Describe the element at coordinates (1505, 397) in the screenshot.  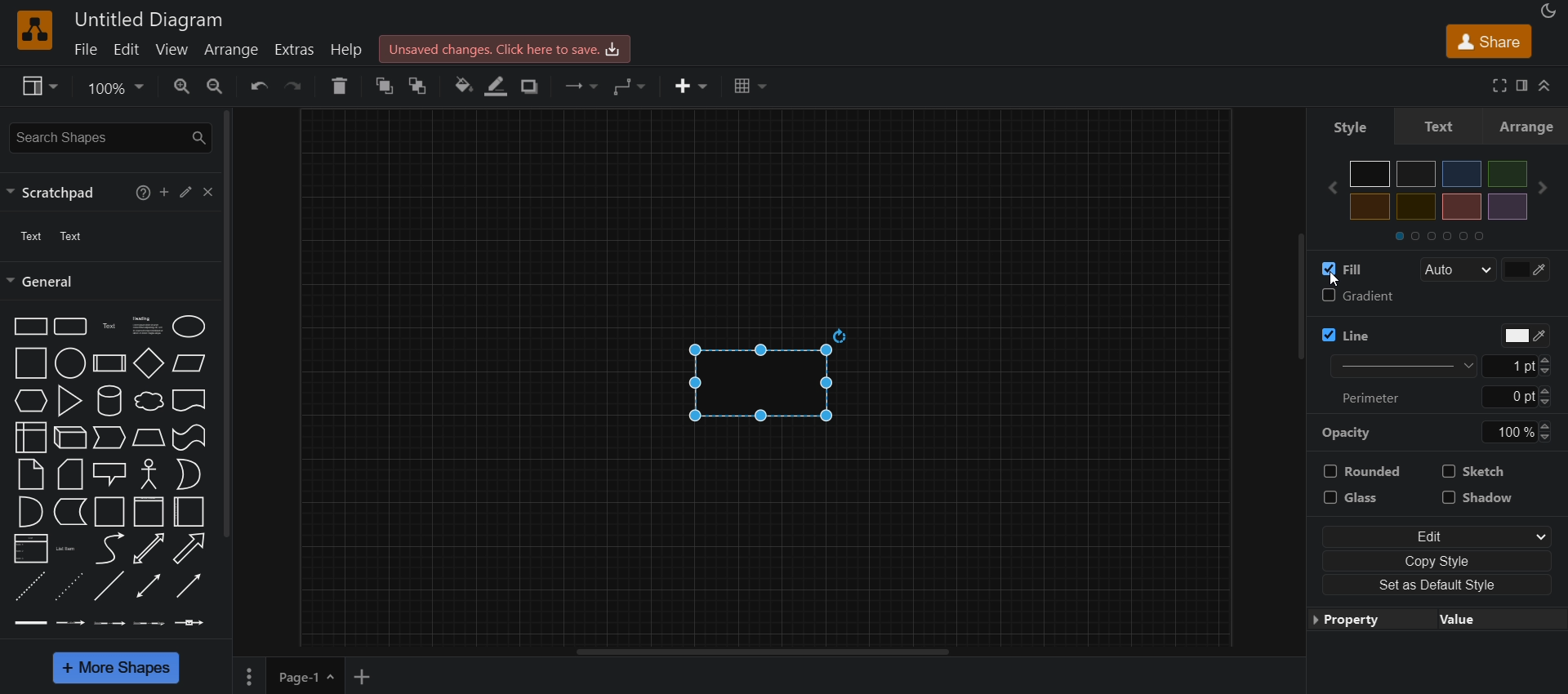
I see `current perimeter` at that location.